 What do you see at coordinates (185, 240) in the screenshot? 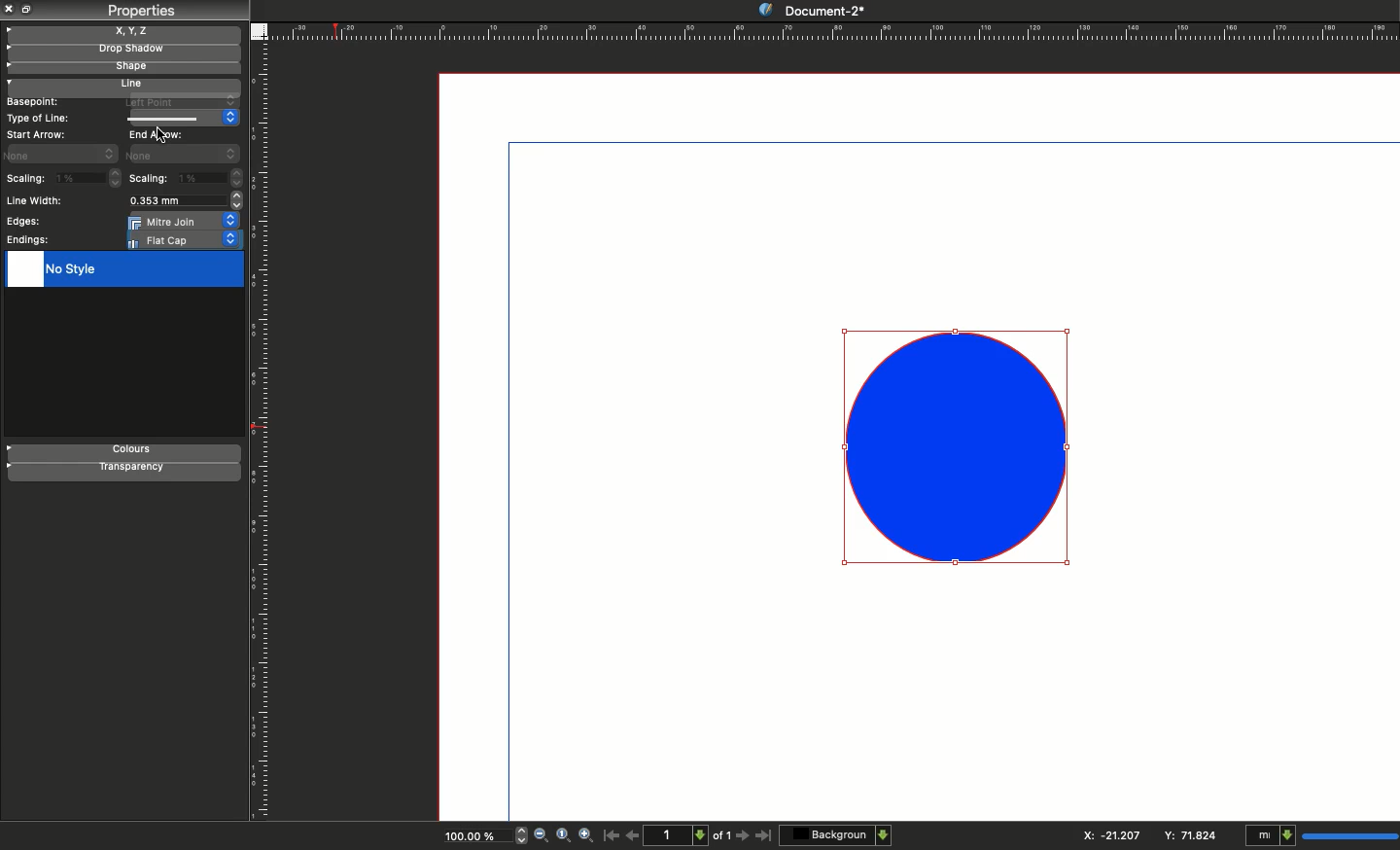
I see `Flat cap` at bounding box center [185, 240].